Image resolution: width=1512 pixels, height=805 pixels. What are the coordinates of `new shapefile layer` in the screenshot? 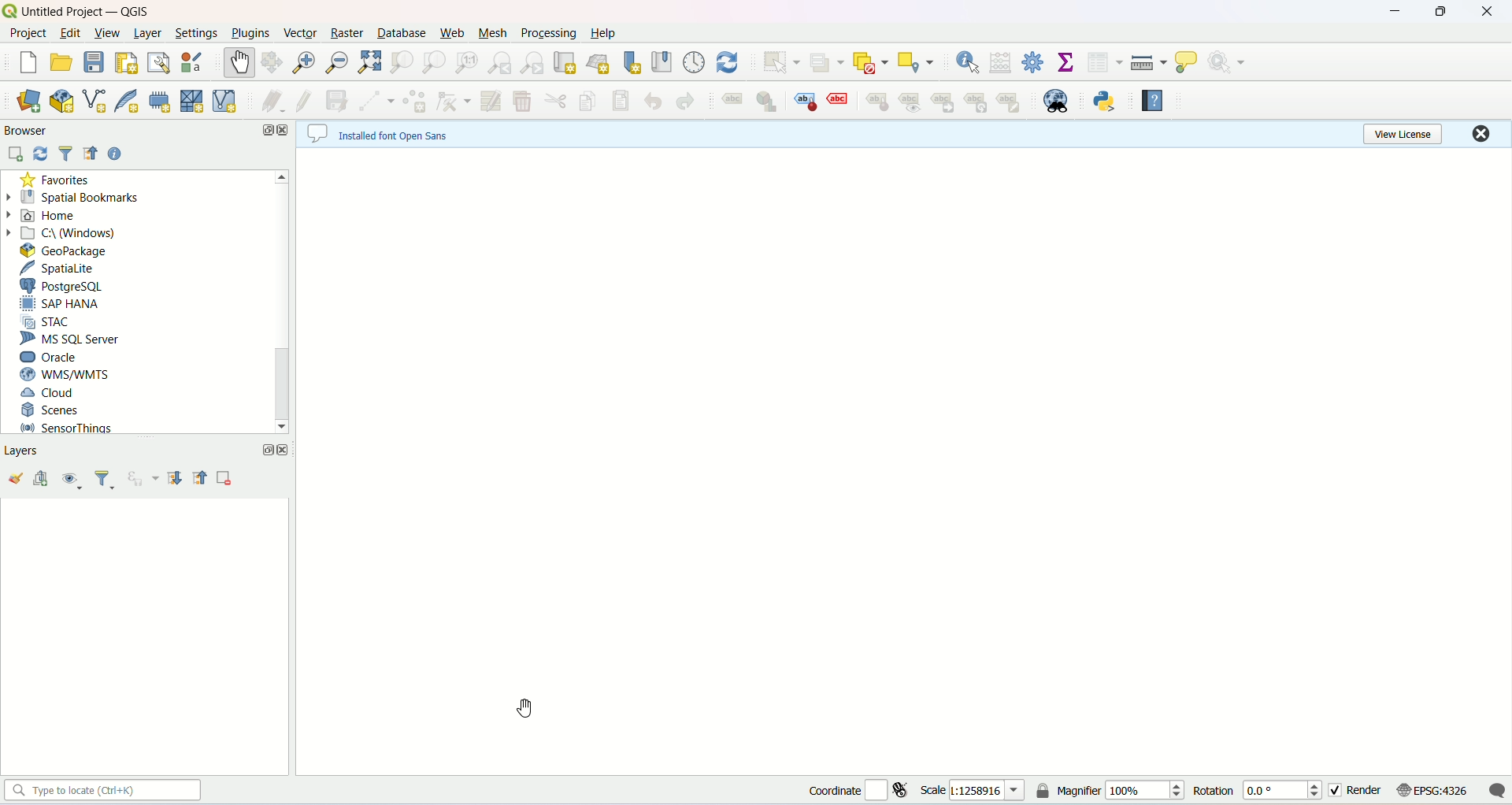 It's located at (94, 99).